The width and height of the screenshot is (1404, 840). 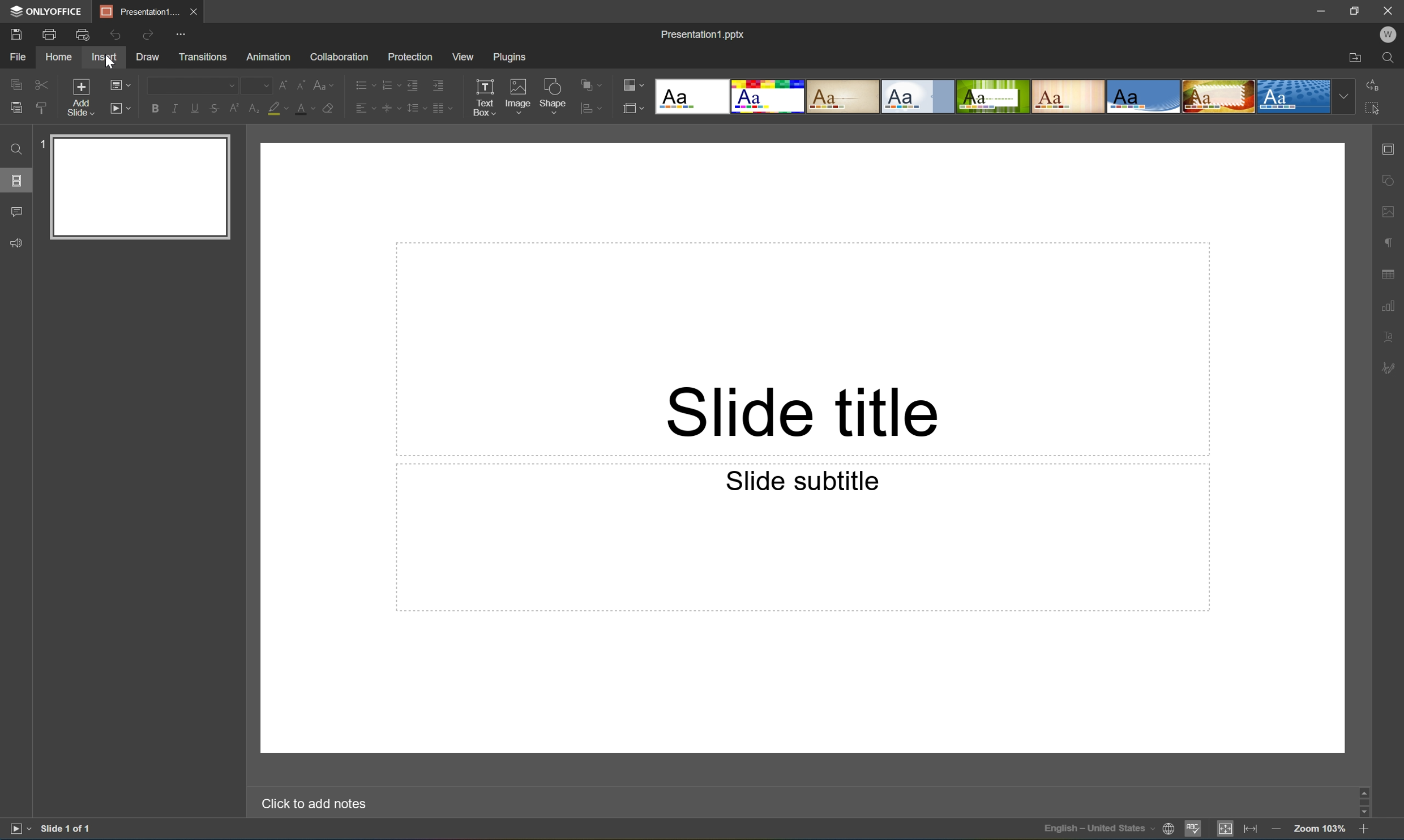 What do you see at coordinates (109, 59) in the screenshot?
I see `mouse pointer` at bounding box center [109, 59].